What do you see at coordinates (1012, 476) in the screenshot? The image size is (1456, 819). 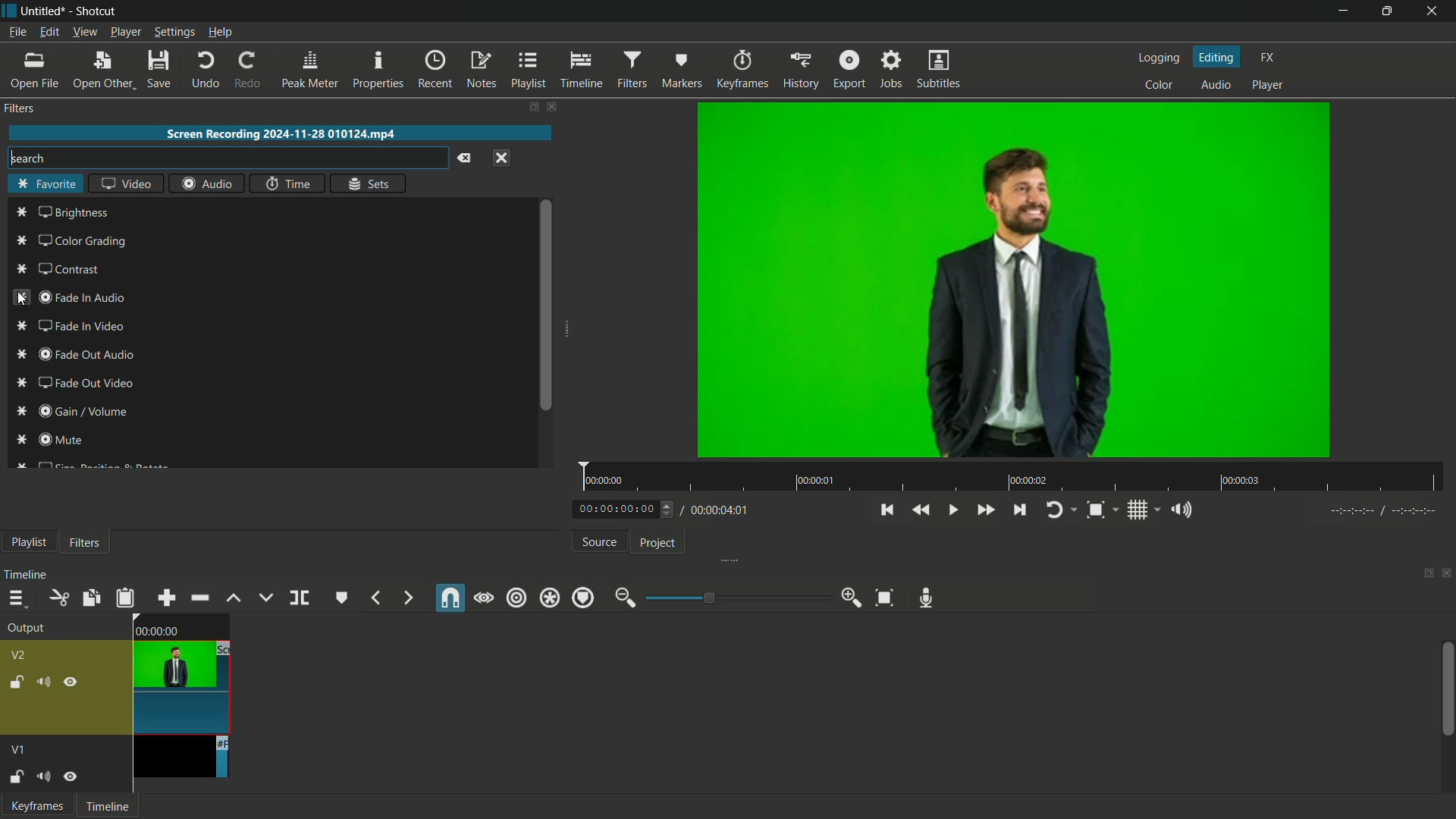 I see `time span` at bounding box center [1012, 476].